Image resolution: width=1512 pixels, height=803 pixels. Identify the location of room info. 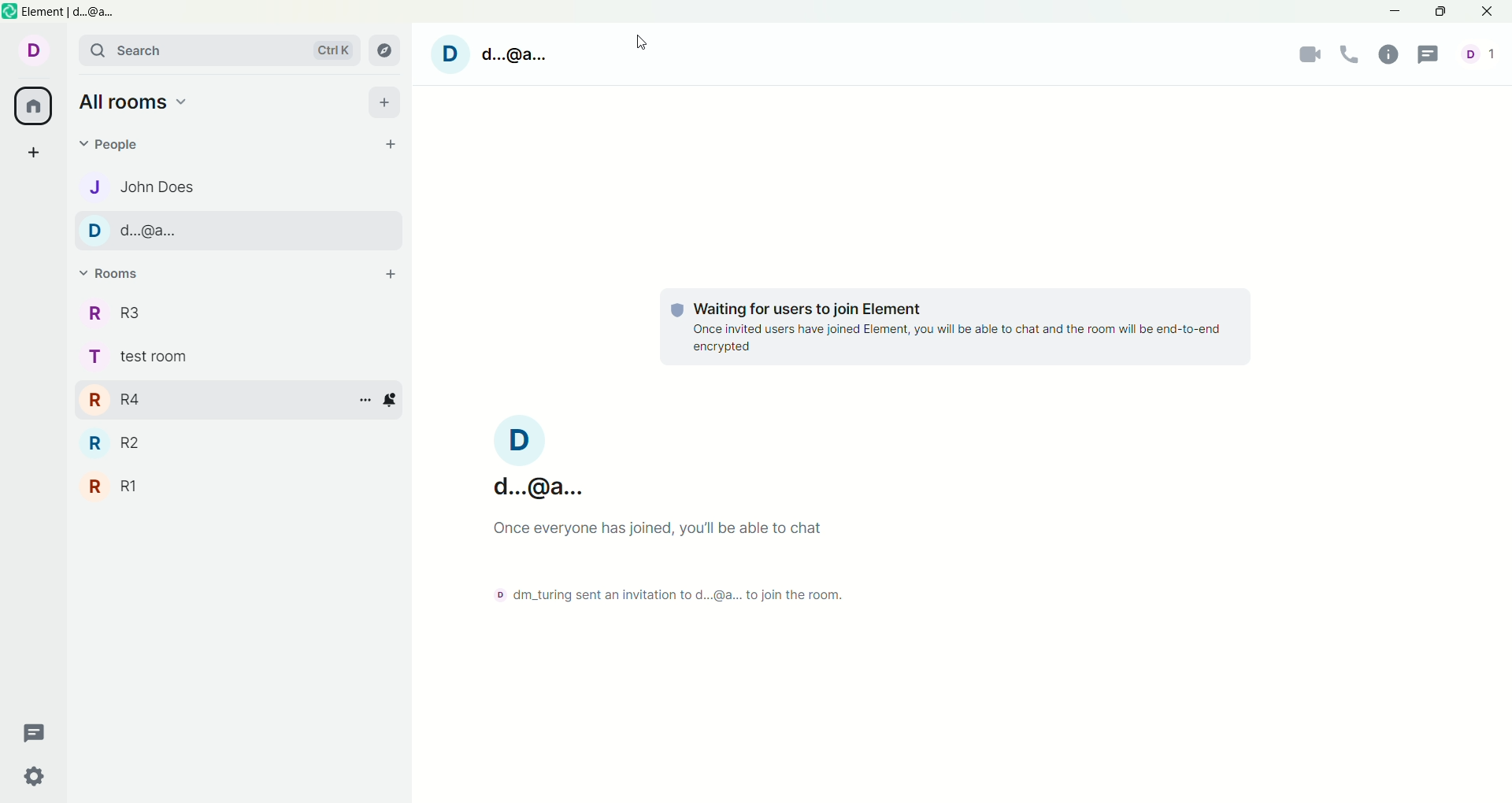
(1392, 54).